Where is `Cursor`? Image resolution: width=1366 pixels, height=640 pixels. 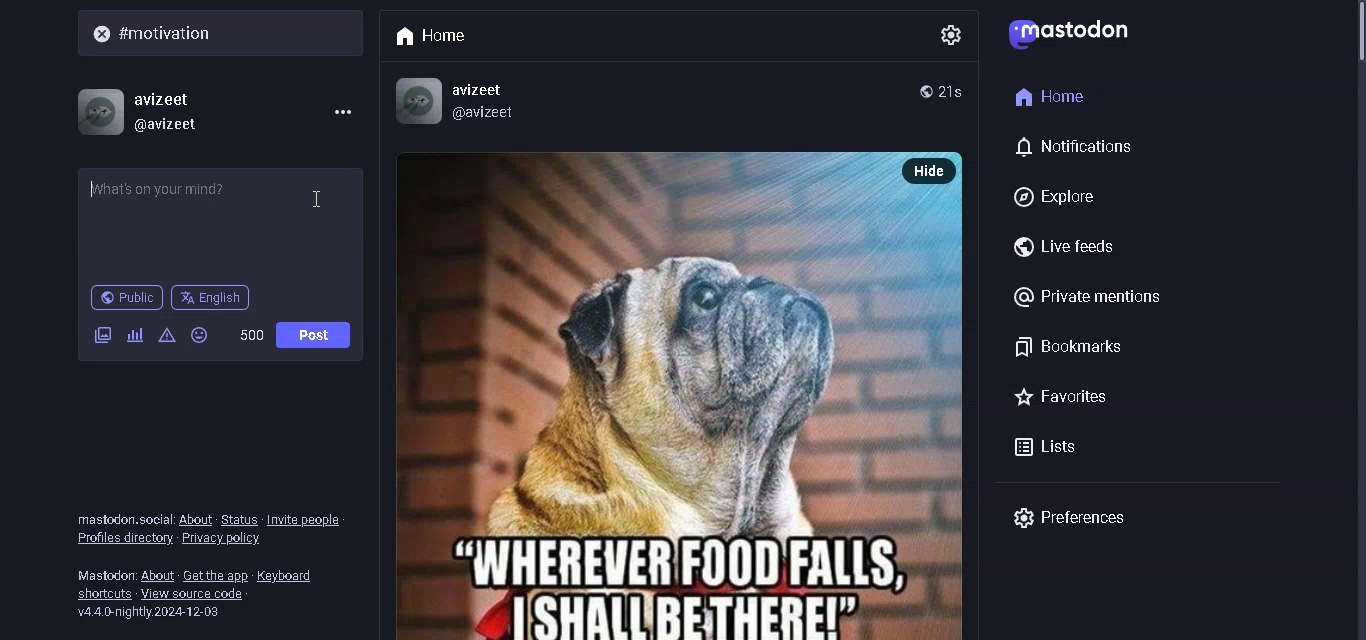
Cursor is located at coordinates (324, 200).